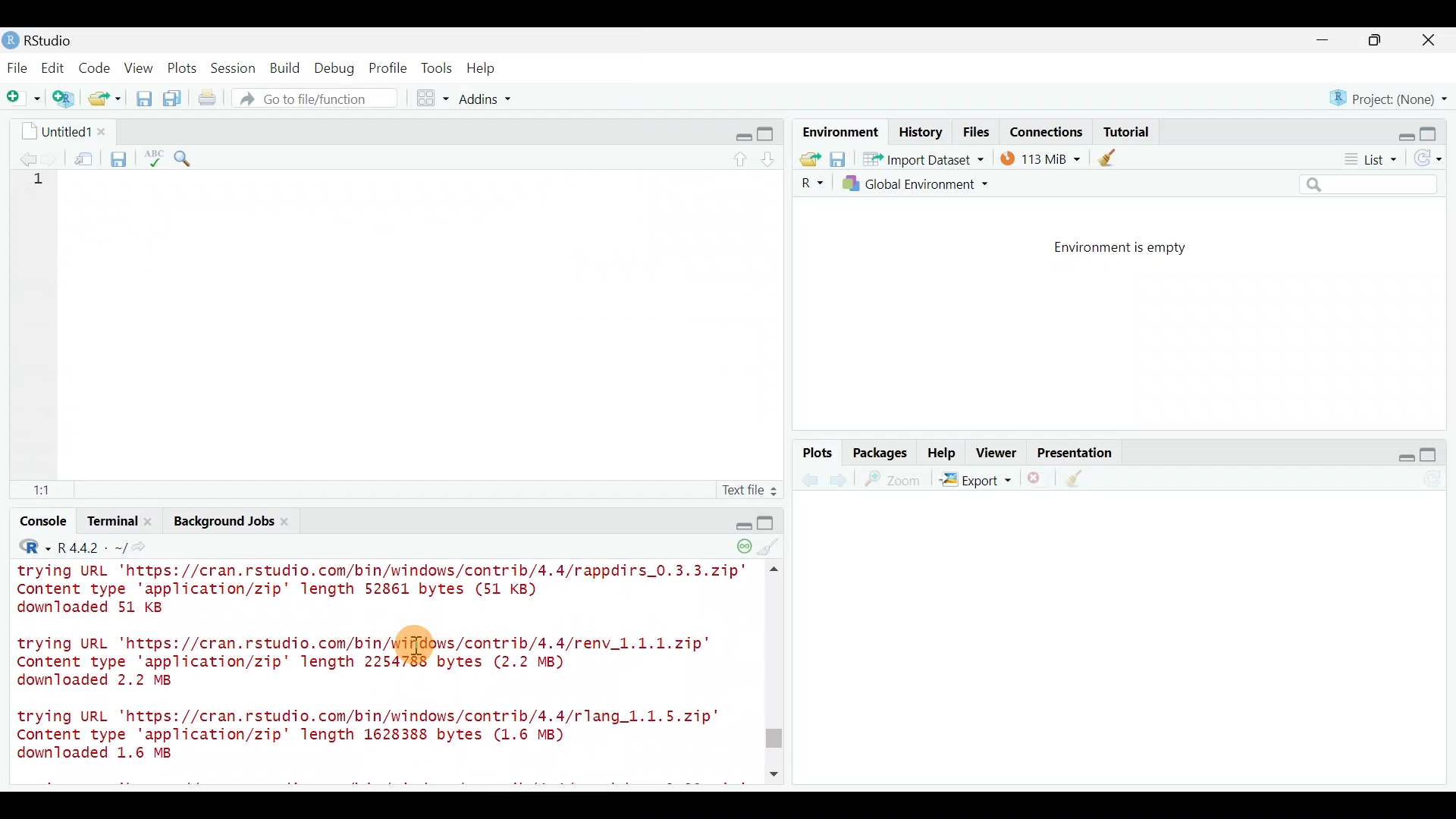 This screenshot has width=1456, height=819. Describe the element at coordinates (818, 453) in the screenshot. I see `Plots` at that location.